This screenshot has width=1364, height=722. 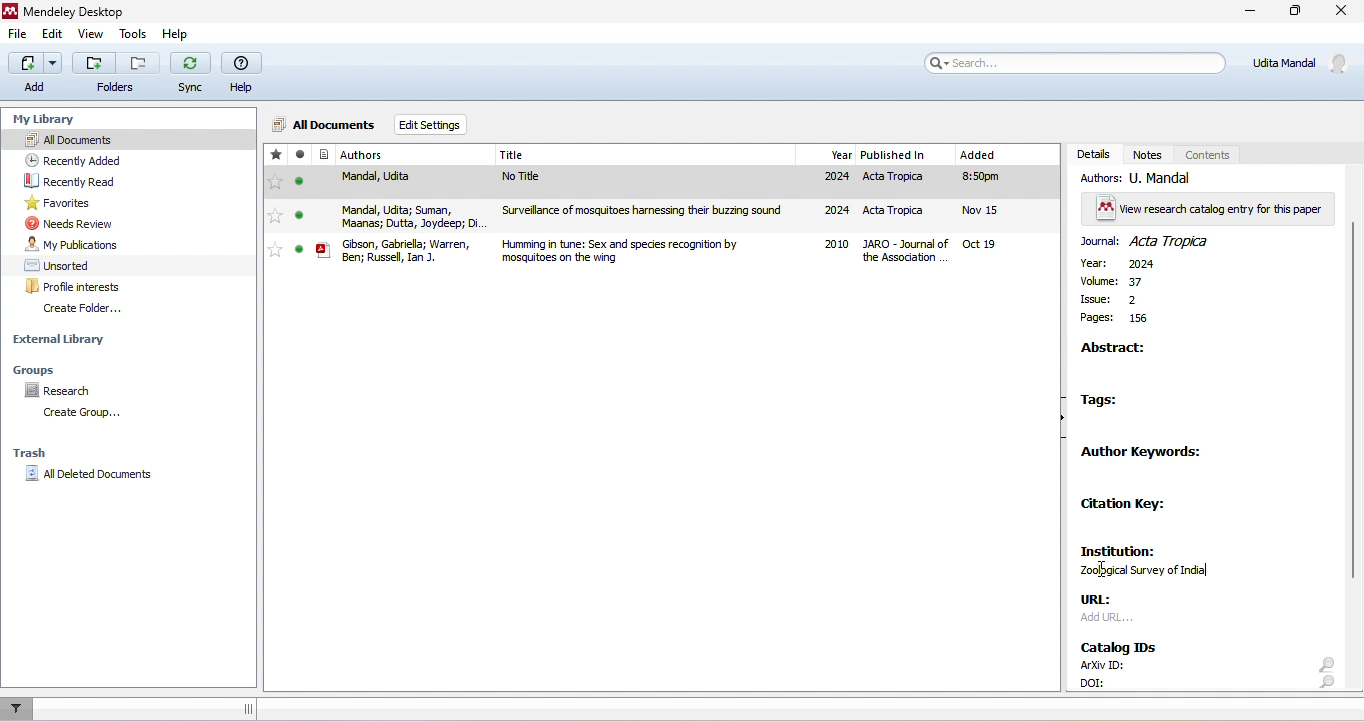 I want to click on unsorted, so click(x=62, y=264).